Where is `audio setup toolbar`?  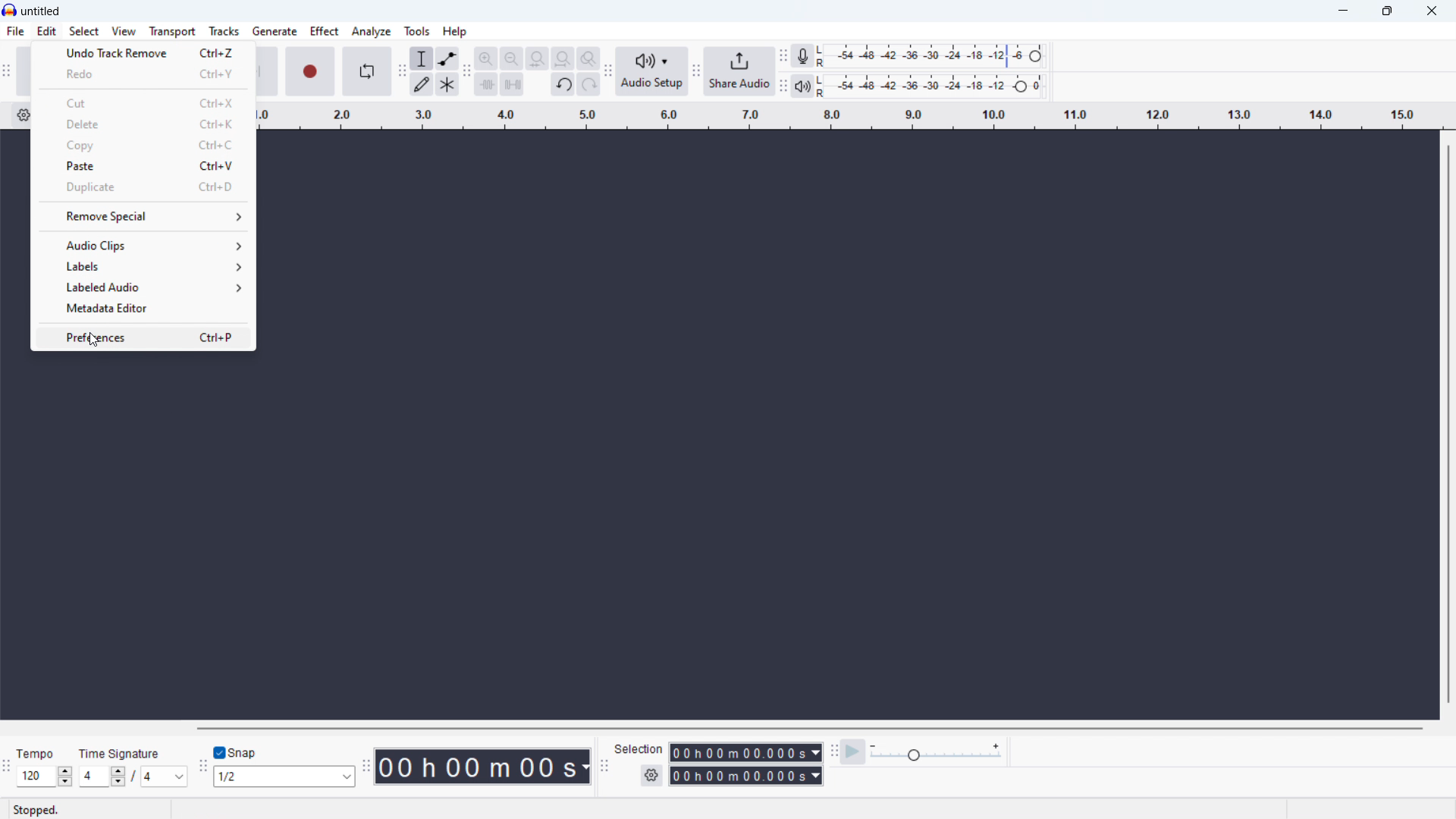
audio setup toolbar is located at coordinates (607, 71).